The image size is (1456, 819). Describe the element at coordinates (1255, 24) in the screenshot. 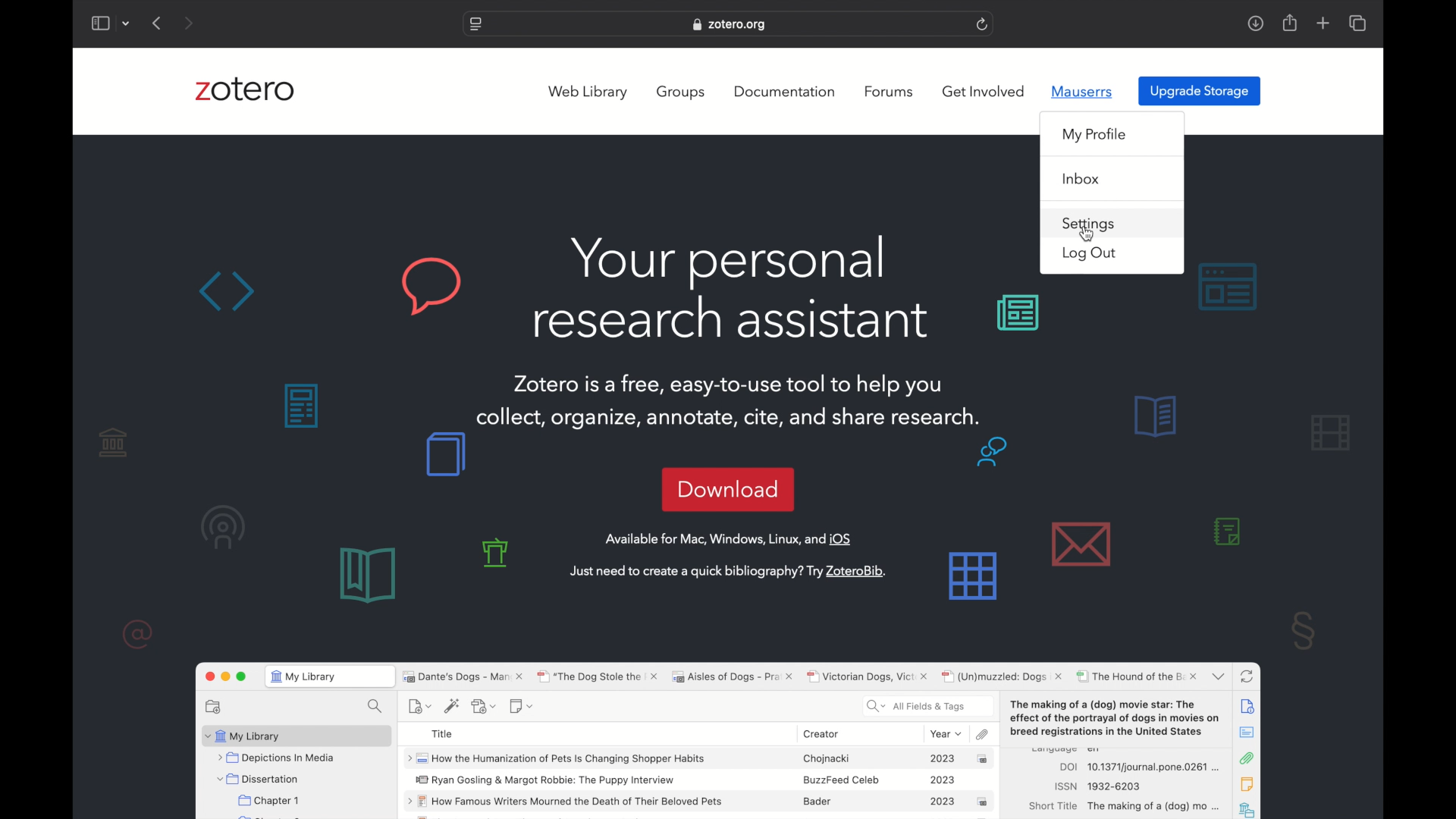

I see `downloads` at that location.